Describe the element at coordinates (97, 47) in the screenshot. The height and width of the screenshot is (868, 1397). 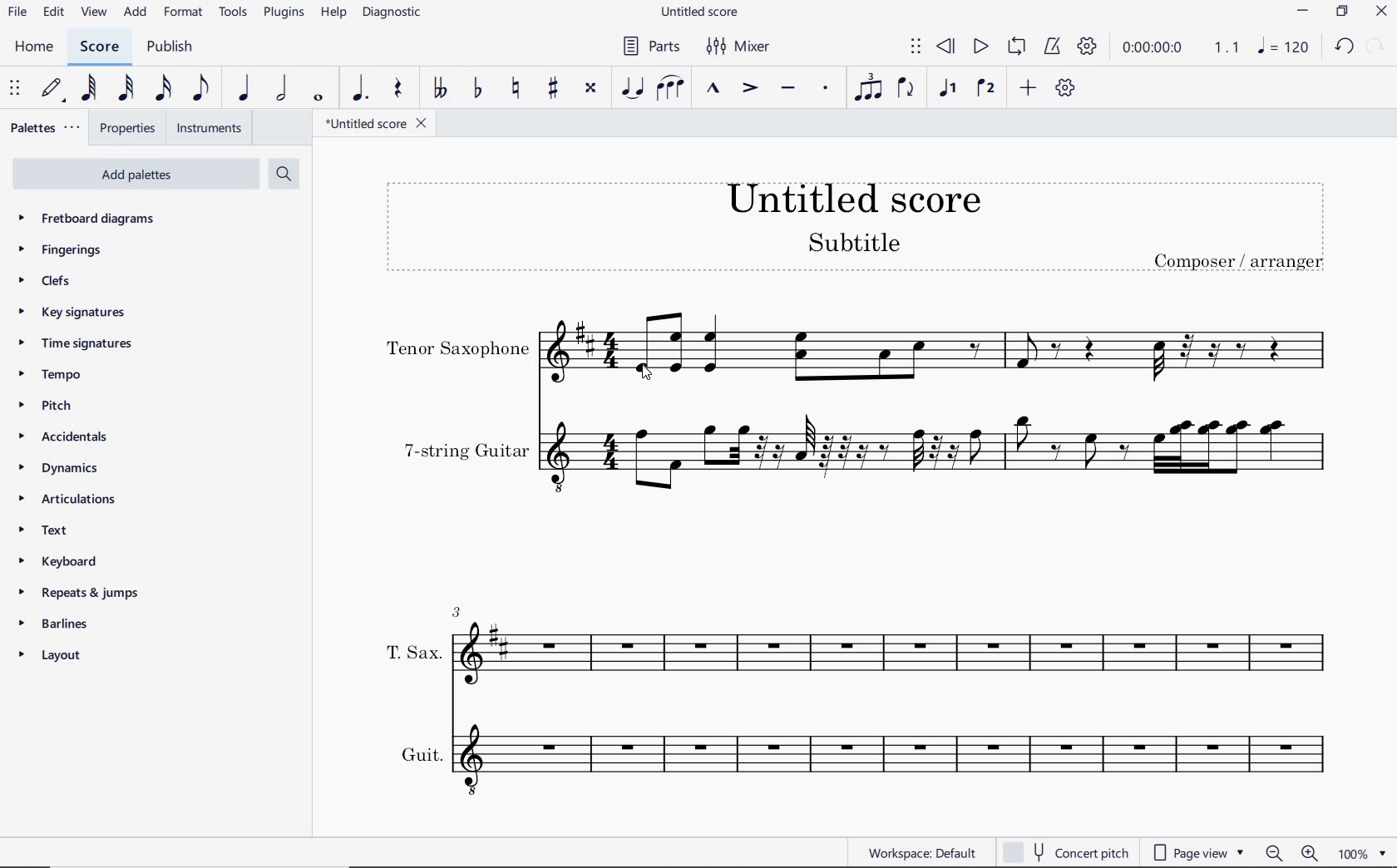
I see `SCORE` at that location.